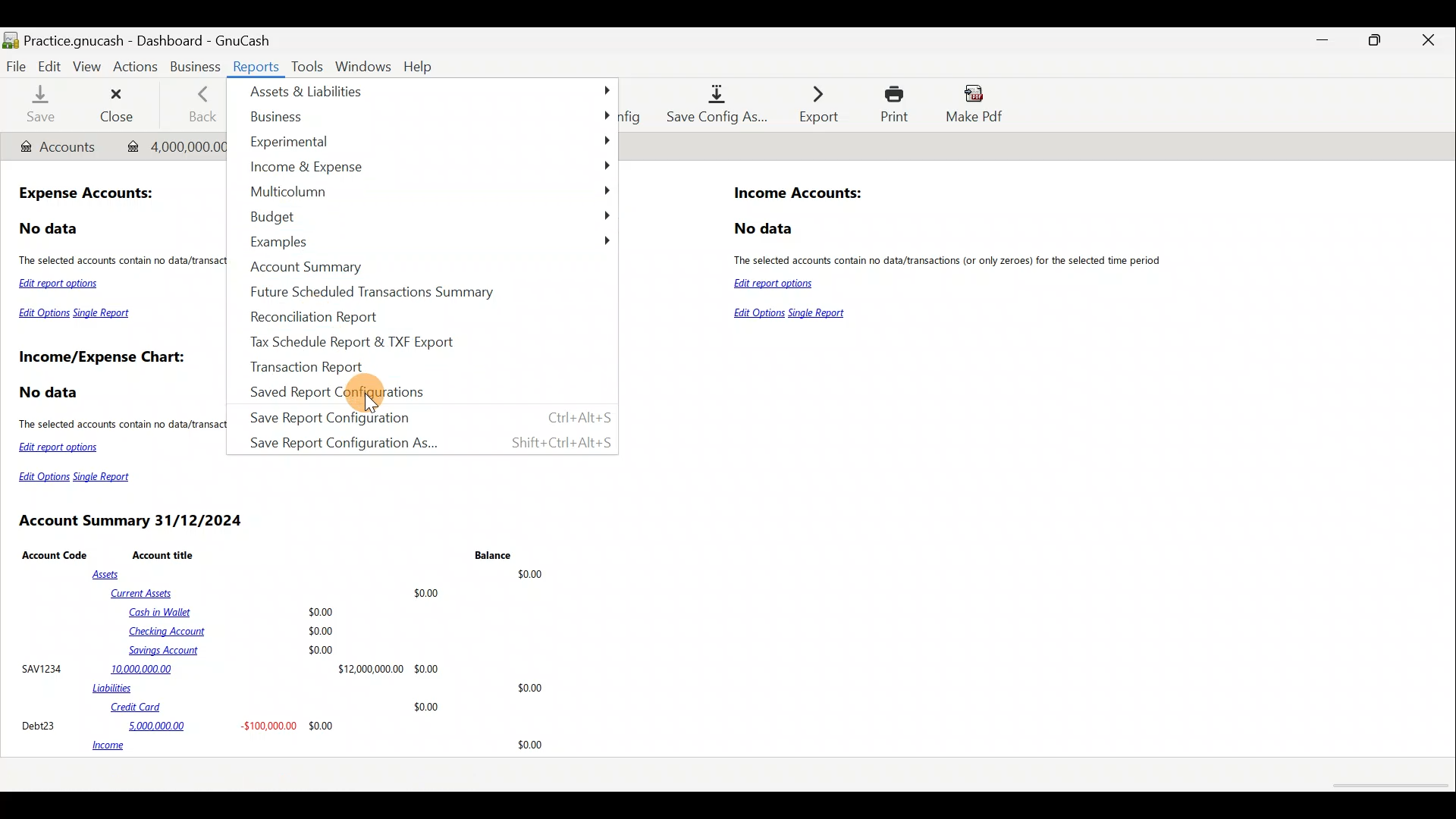 Image resolution: width=1456 pixels, height=819 pixels. What do you see at coordinates (57, 147) in the screenshot?
I see `Account` at bounding box center [57, 147].